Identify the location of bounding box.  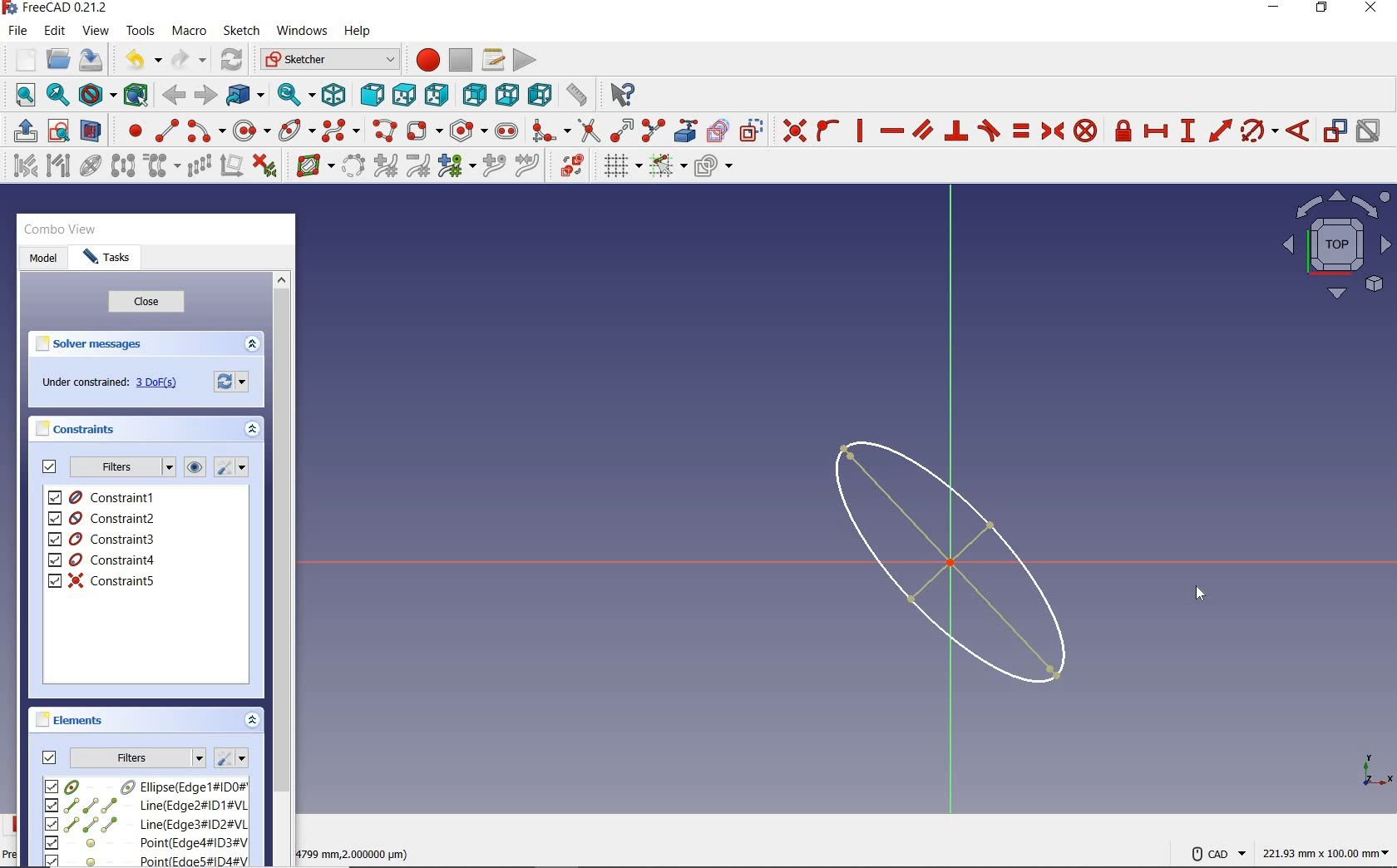
(136, 94).